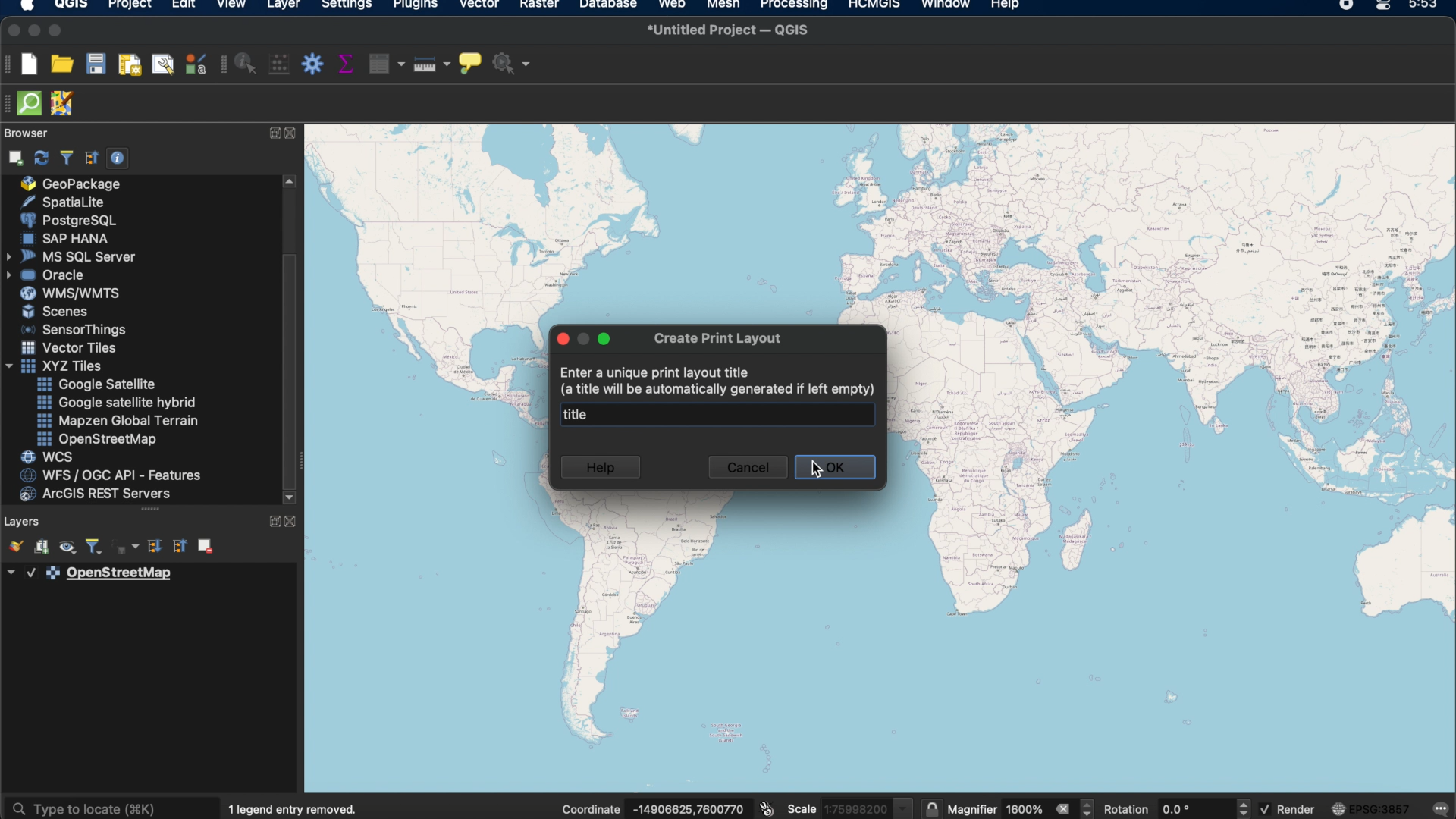  What do you see at coordinates (718, 337) in the screenshot?
I see `create print layout` at bounding box center [718, 337].